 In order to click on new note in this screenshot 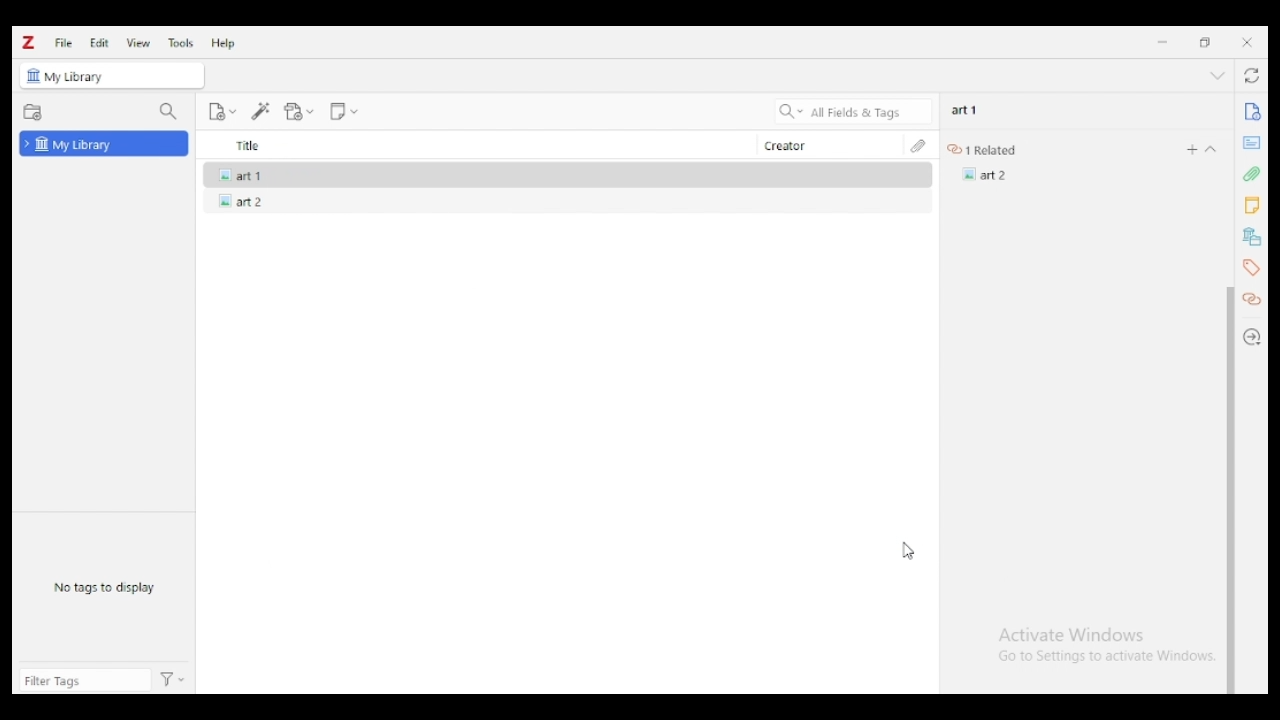, I will do `click(343, 112)`.